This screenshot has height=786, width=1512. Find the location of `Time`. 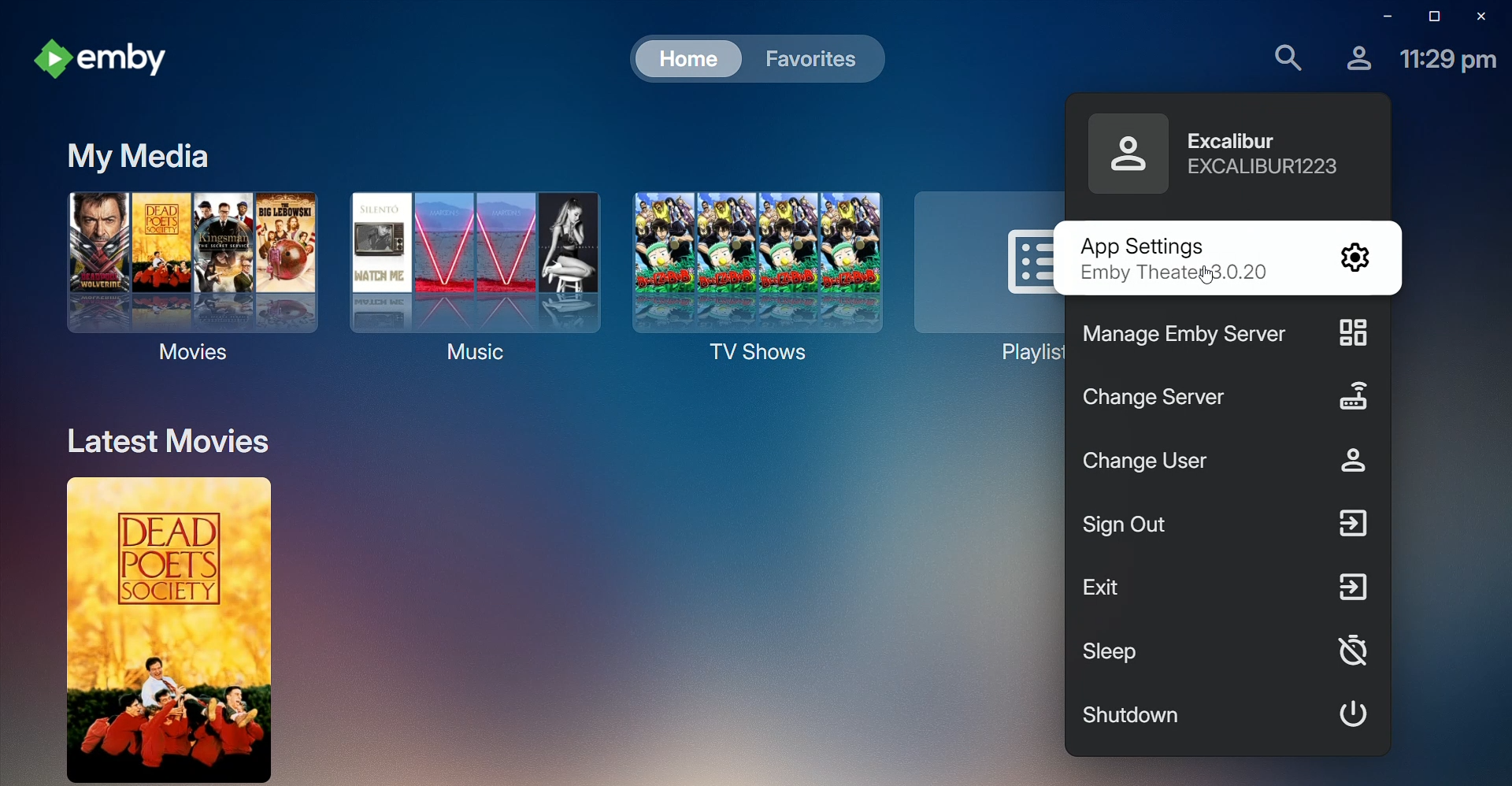

Time is located at coordinates (1448, 61).